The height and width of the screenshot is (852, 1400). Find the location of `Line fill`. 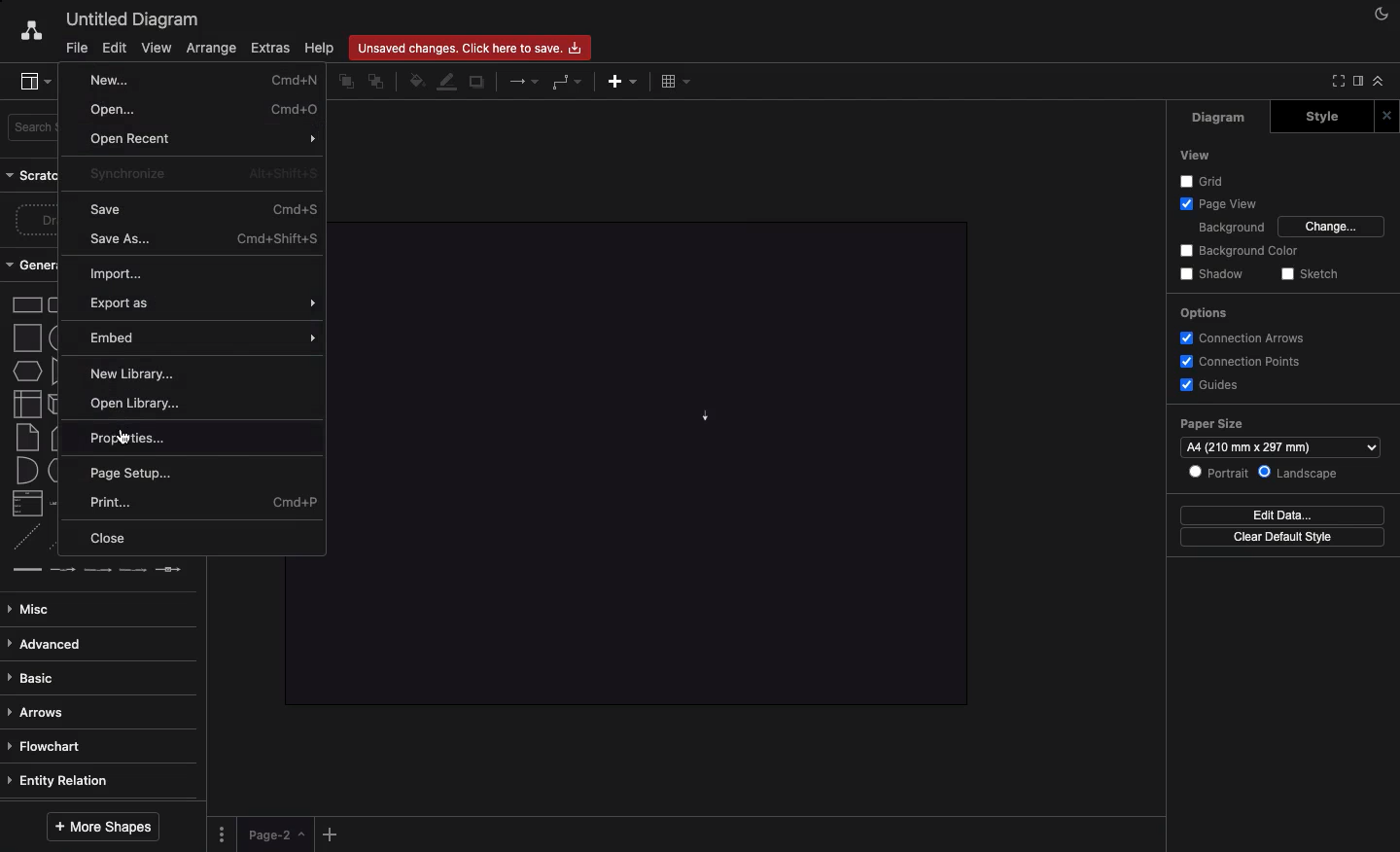

Line fill is located at coordinates (448, 83).